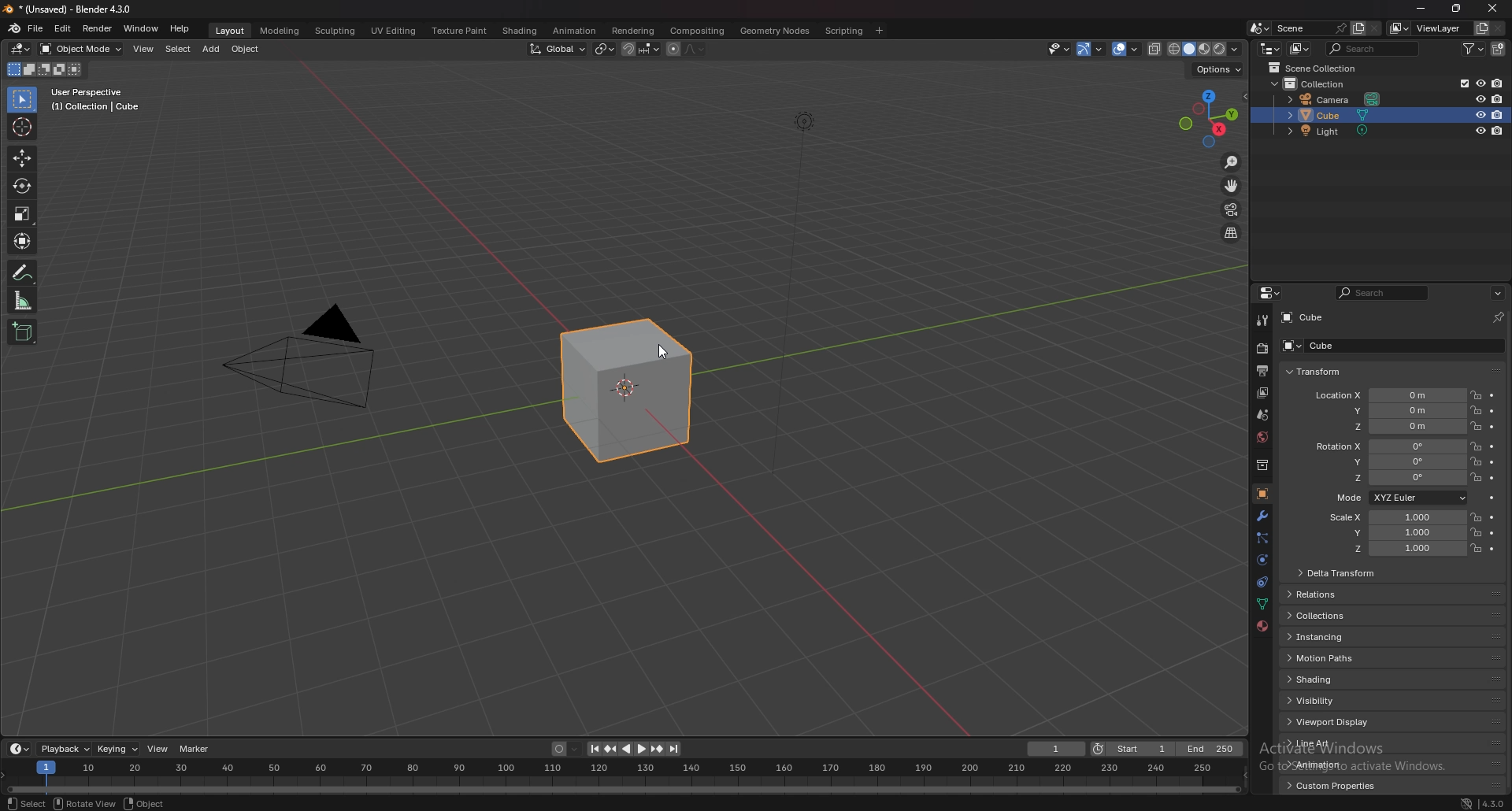 This screenshot has height=811, width=1512. I want to click on render, so click(1261, 349).